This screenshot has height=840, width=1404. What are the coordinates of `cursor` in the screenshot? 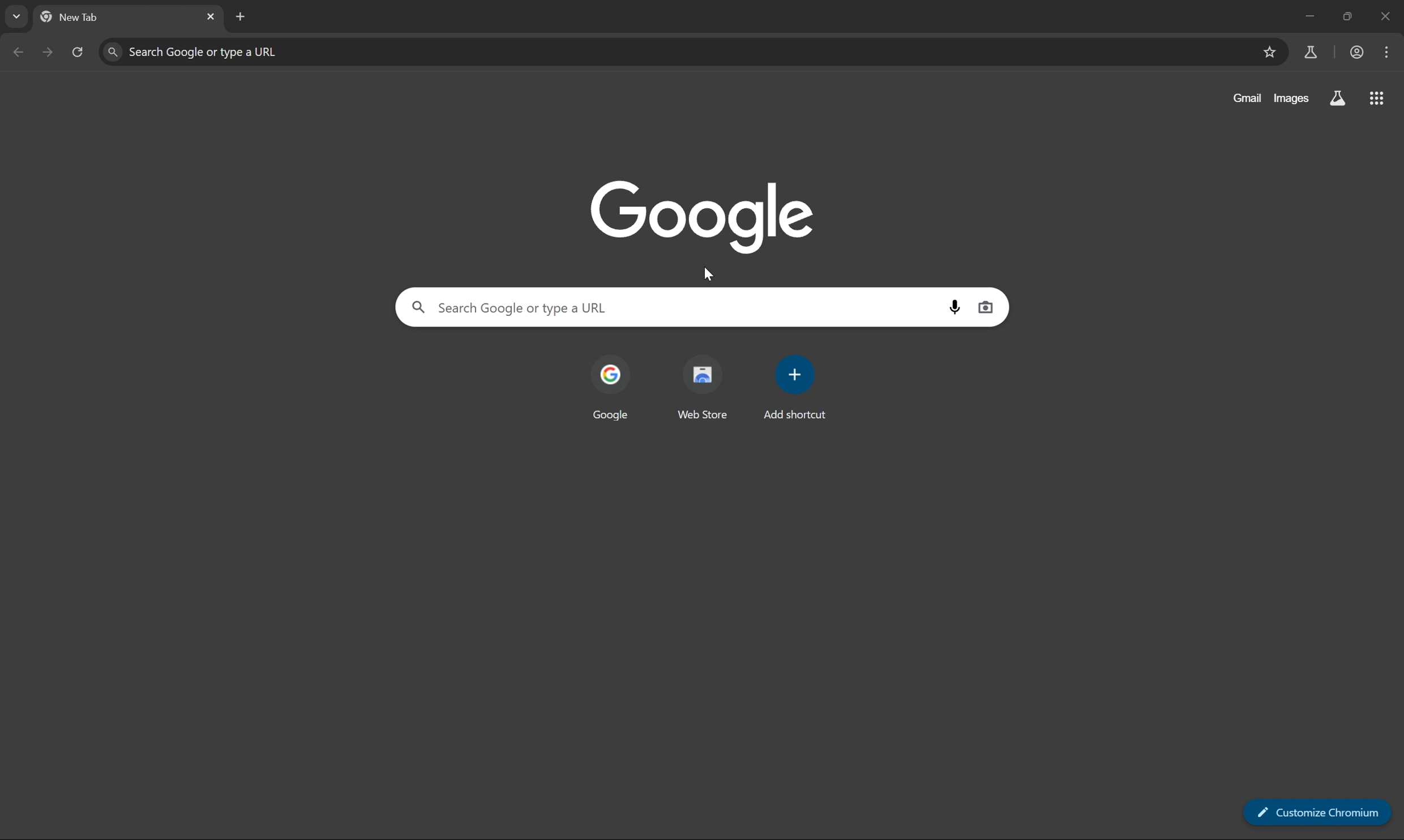 It's located at (710, 276).